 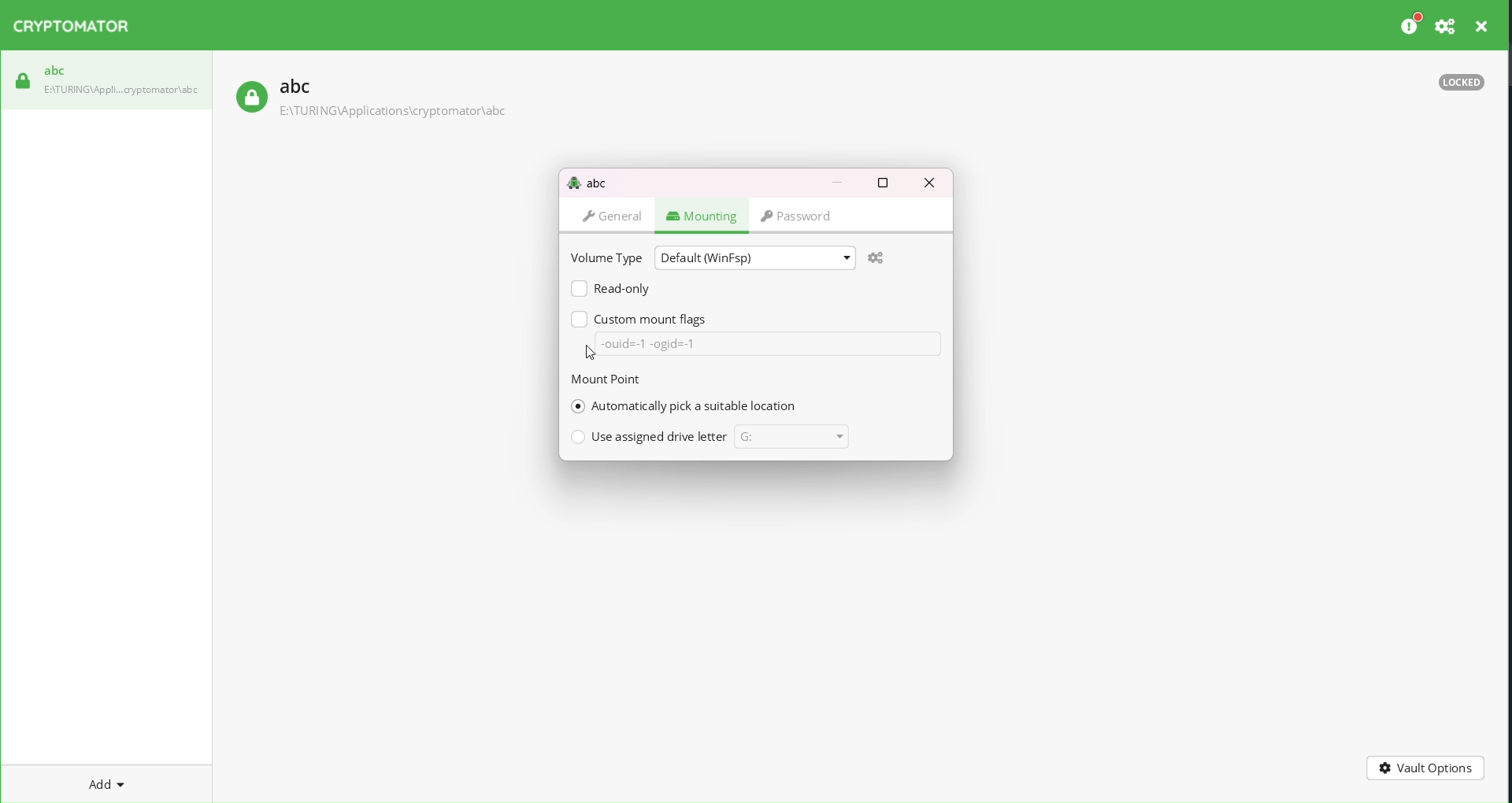 I want to click on path, so click(x=393, y=112).